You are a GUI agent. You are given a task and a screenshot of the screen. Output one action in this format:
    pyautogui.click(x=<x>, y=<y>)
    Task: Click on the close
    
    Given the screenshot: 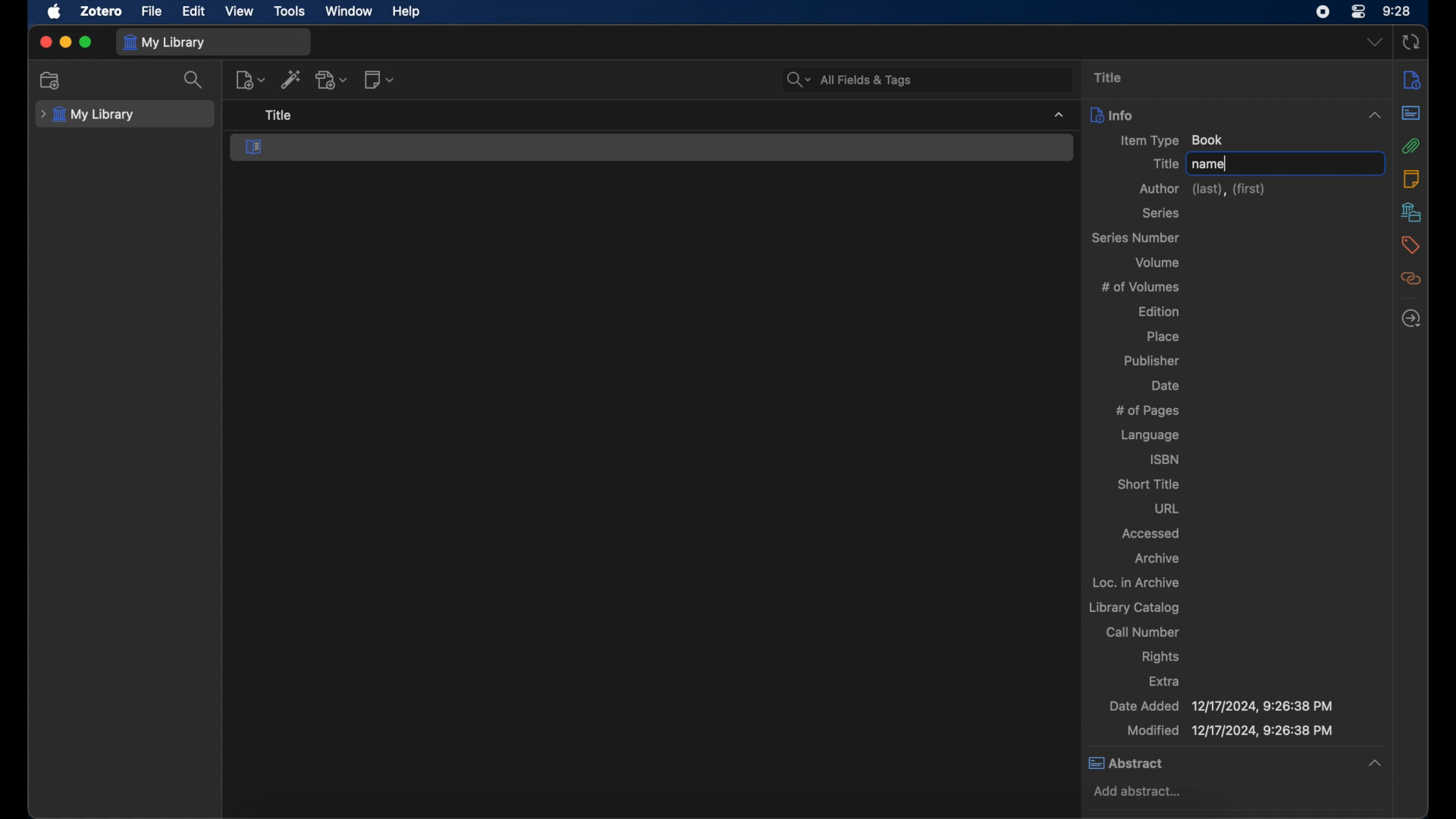 What is the action you would take?
    pyautogui.click(x=45, y=42)
    